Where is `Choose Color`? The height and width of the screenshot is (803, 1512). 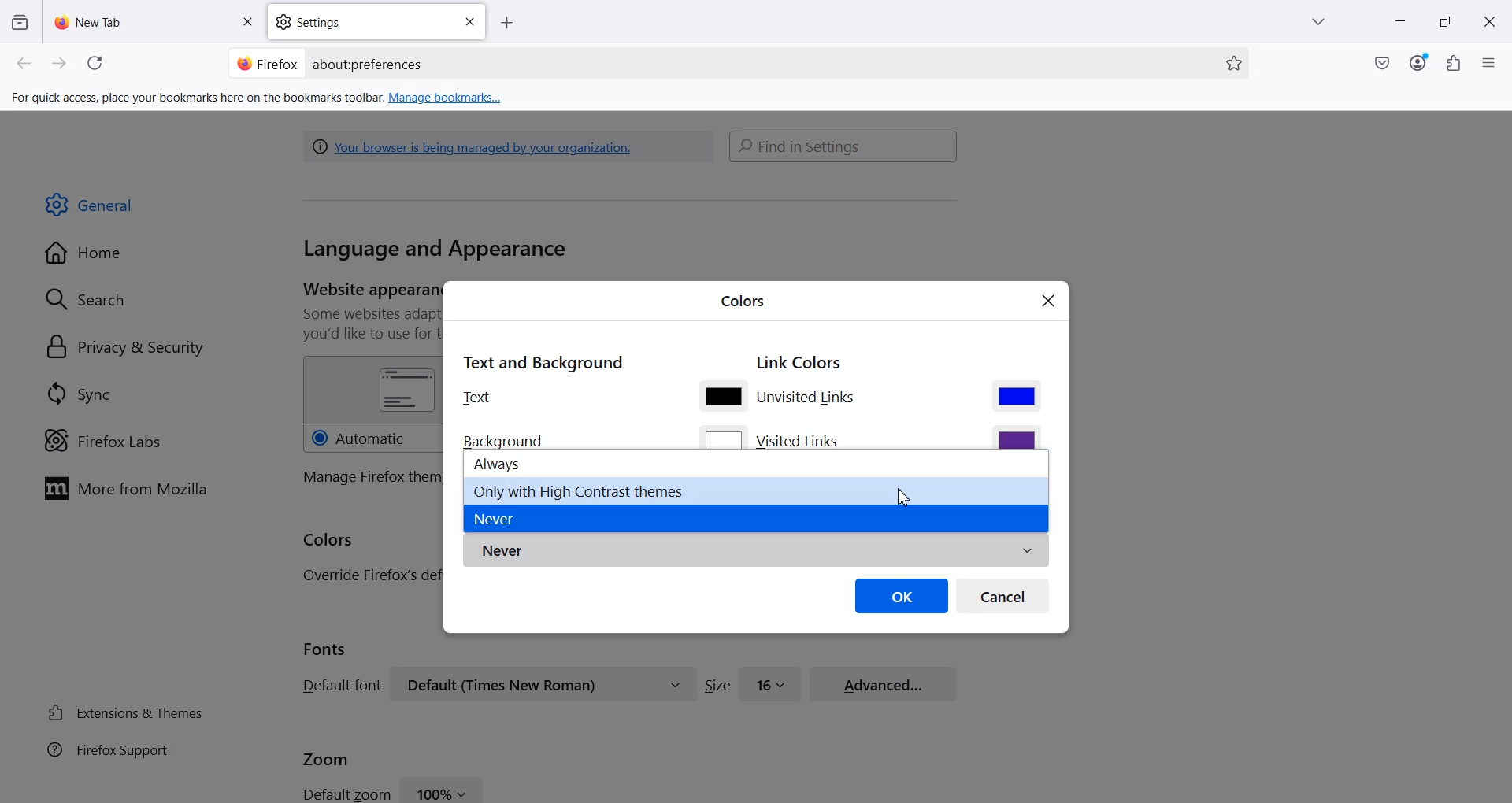
Choose Color is located at coordinates (724, 438).